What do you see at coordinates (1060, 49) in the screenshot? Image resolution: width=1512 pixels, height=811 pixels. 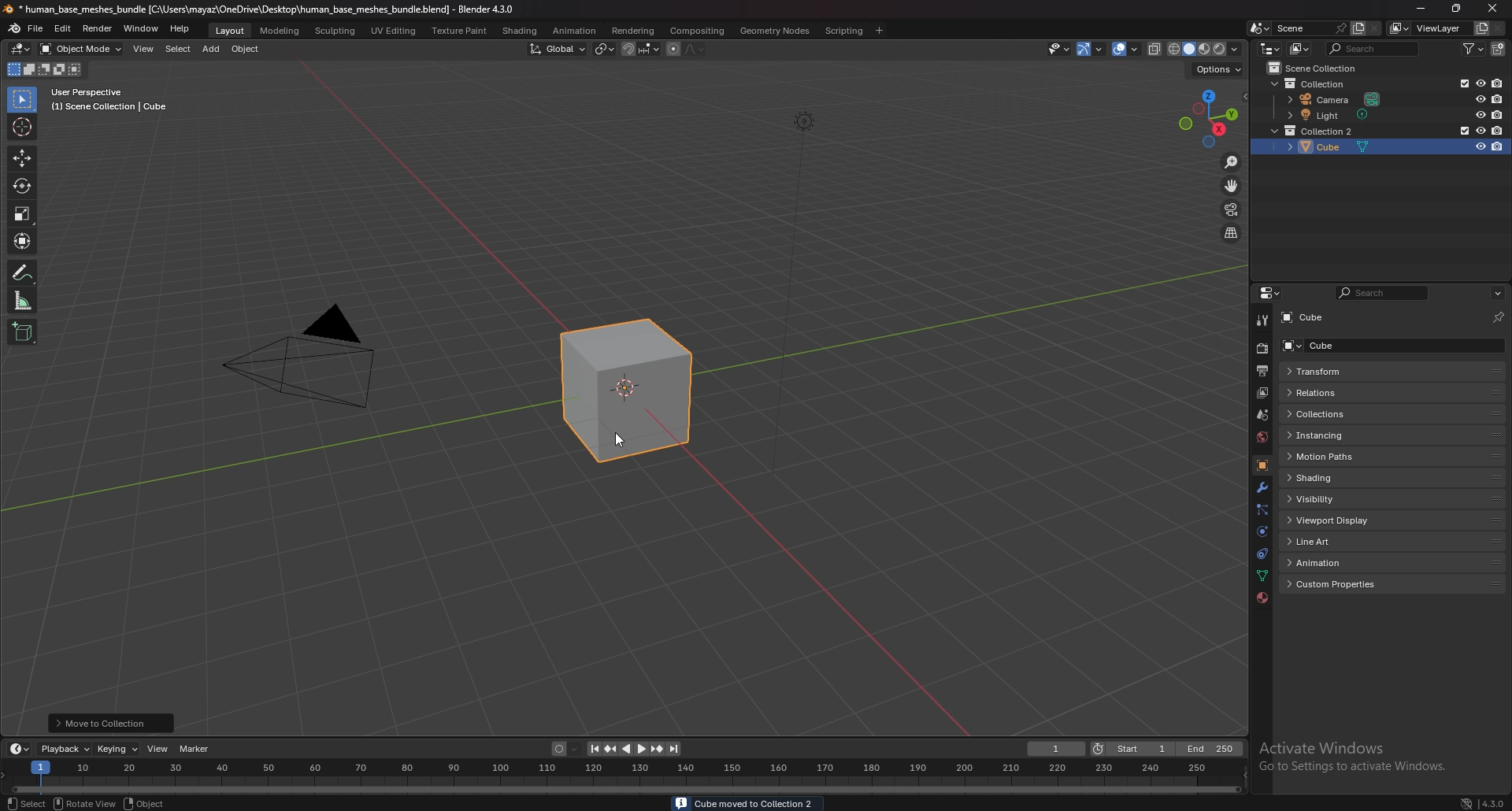 I see `selectibility and visibility` at bounding box center [1060, 49].